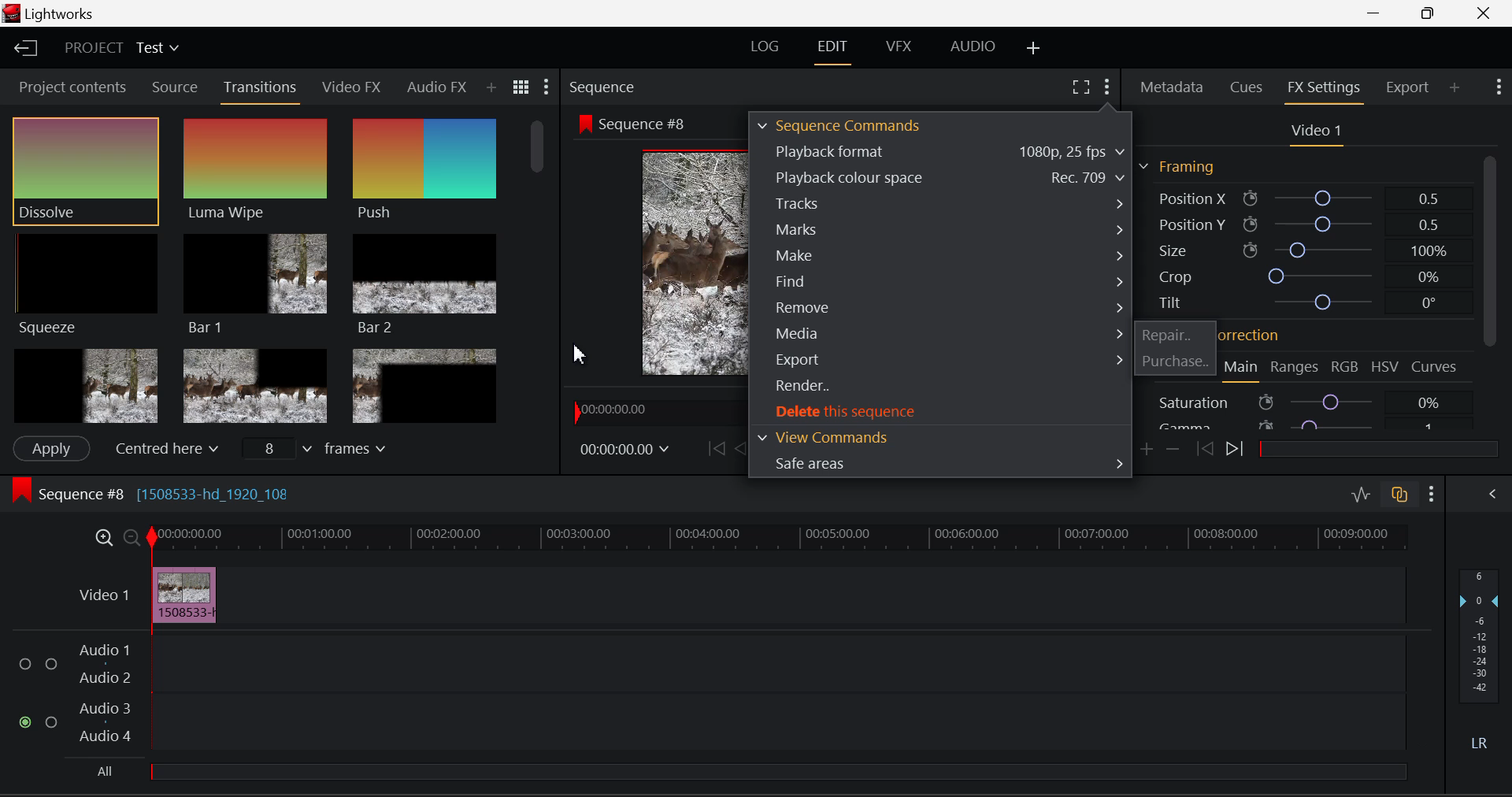 The height and width of the screenshot is (797, 1512). Describe the element at coordinates (1485, 13) in the screenshot. I see `Close` at that location.